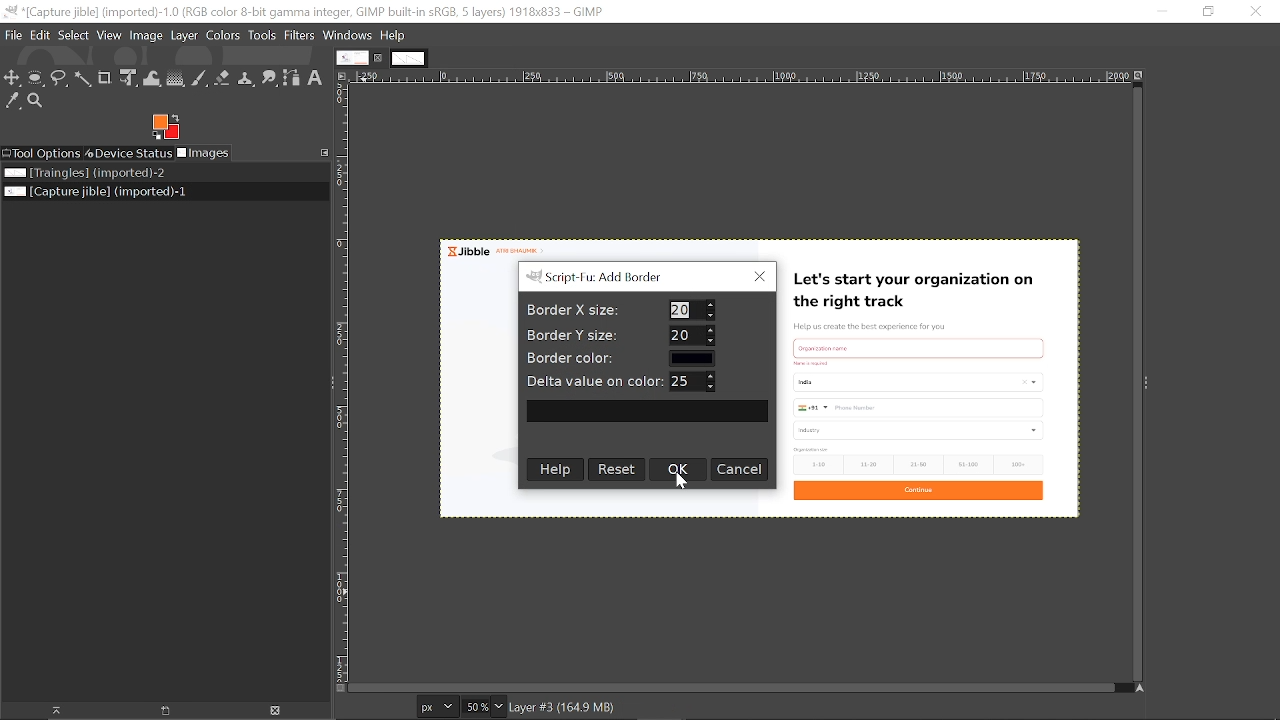  What do you see at coordinates (693, 383) in the screenshot?
I see `Delta value on color` at bounding box center [693, 383].